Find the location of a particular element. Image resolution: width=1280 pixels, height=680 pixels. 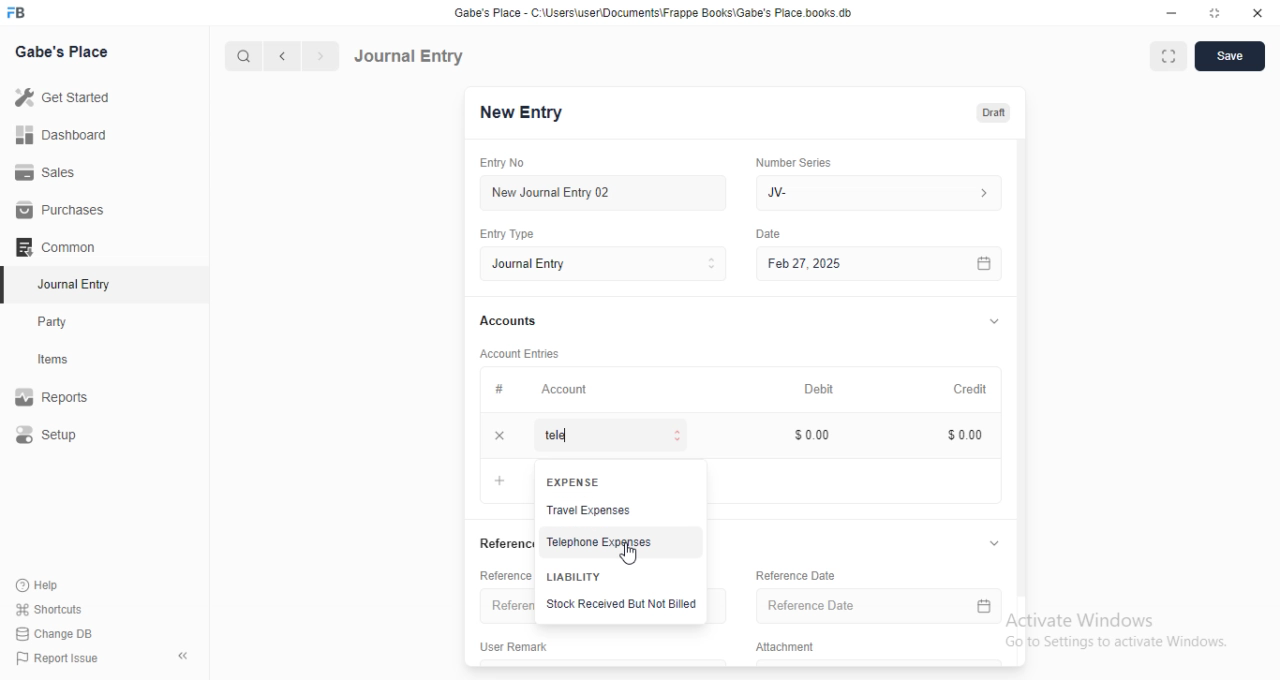

Hide is located at coordinates (995, 320).